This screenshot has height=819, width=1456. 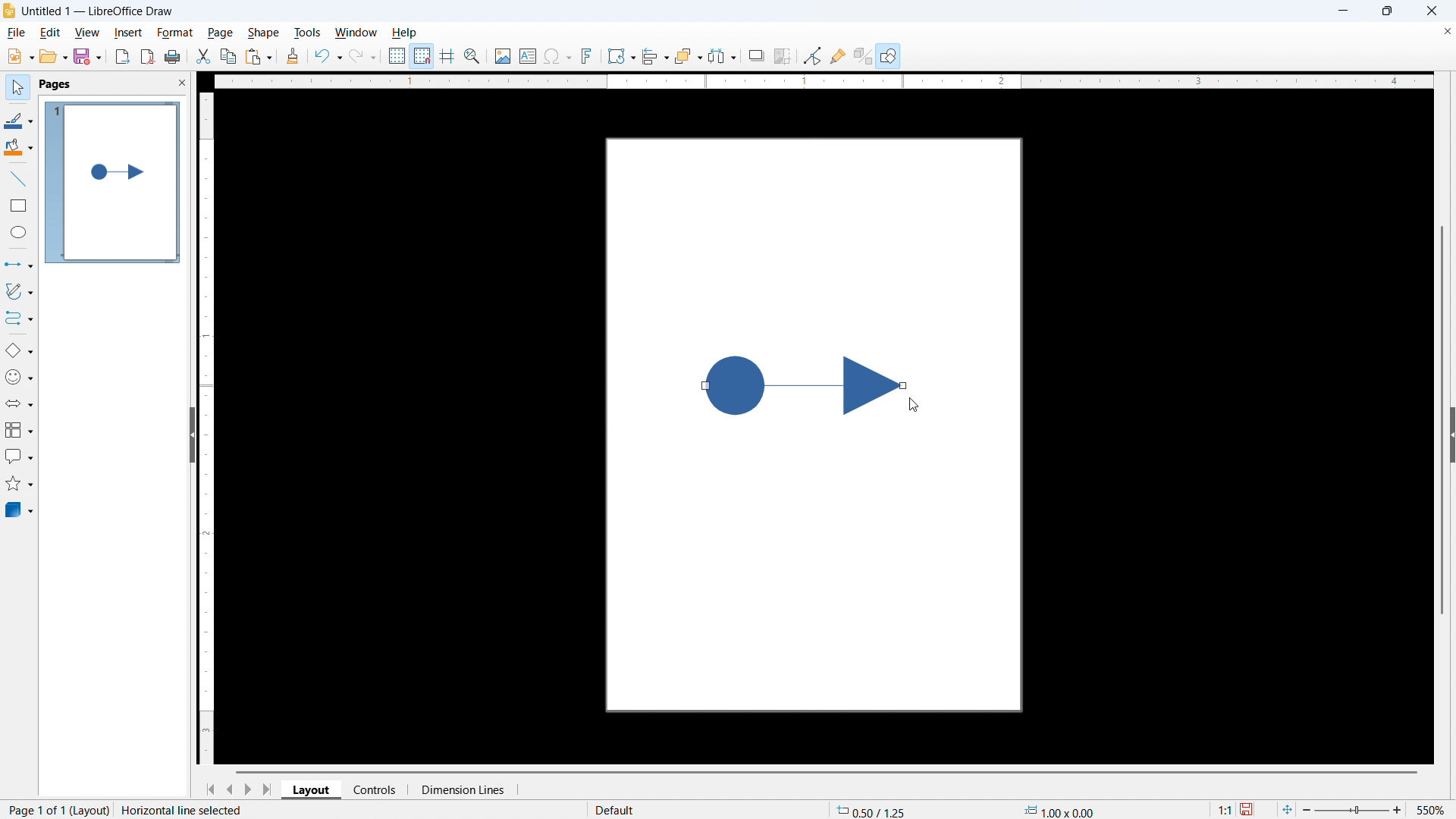 I want to click on save , so click(x=1248, y=810).